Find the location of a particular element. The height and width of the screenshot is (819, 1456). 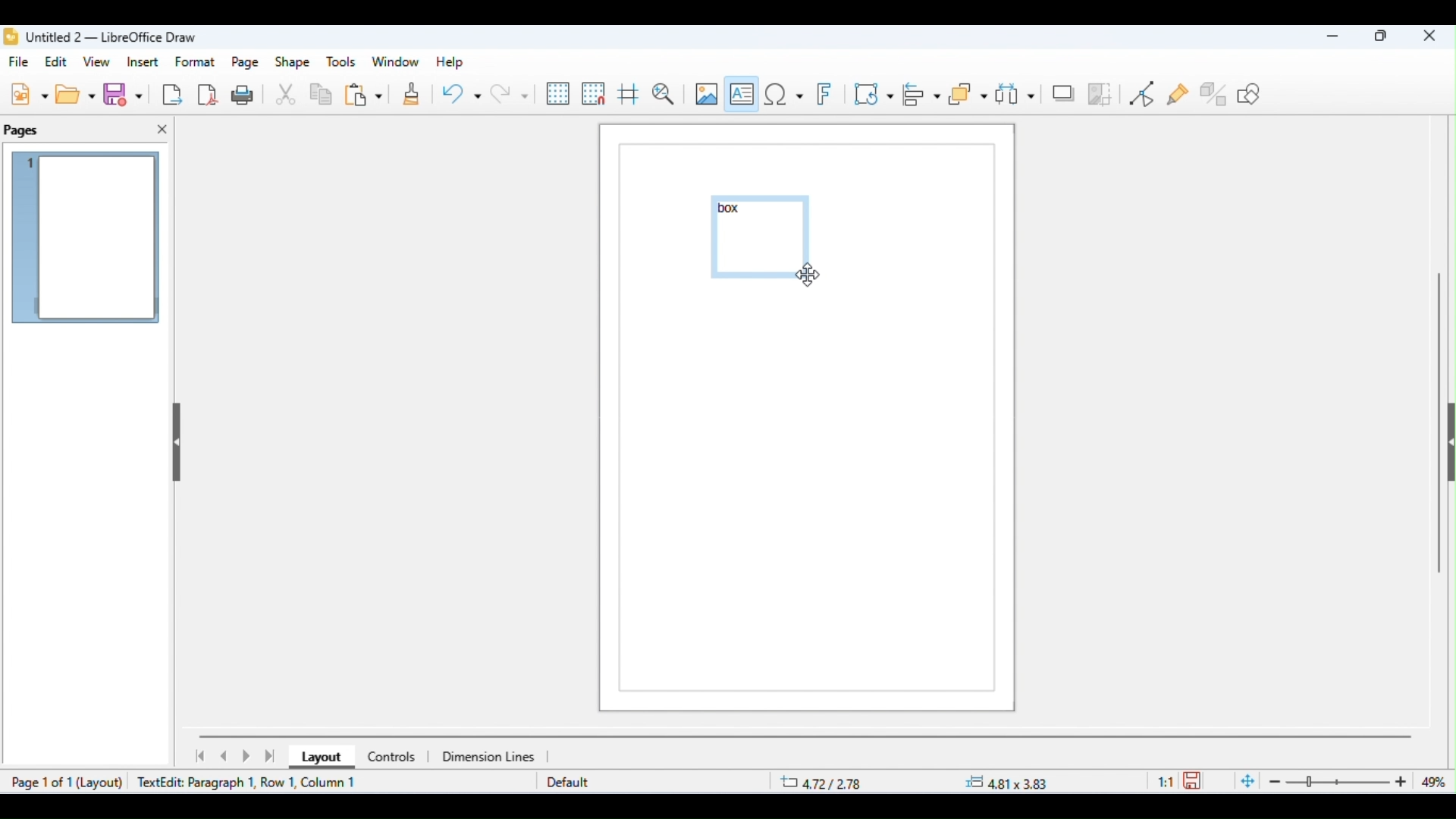

close is located at coordinates (162, 130).